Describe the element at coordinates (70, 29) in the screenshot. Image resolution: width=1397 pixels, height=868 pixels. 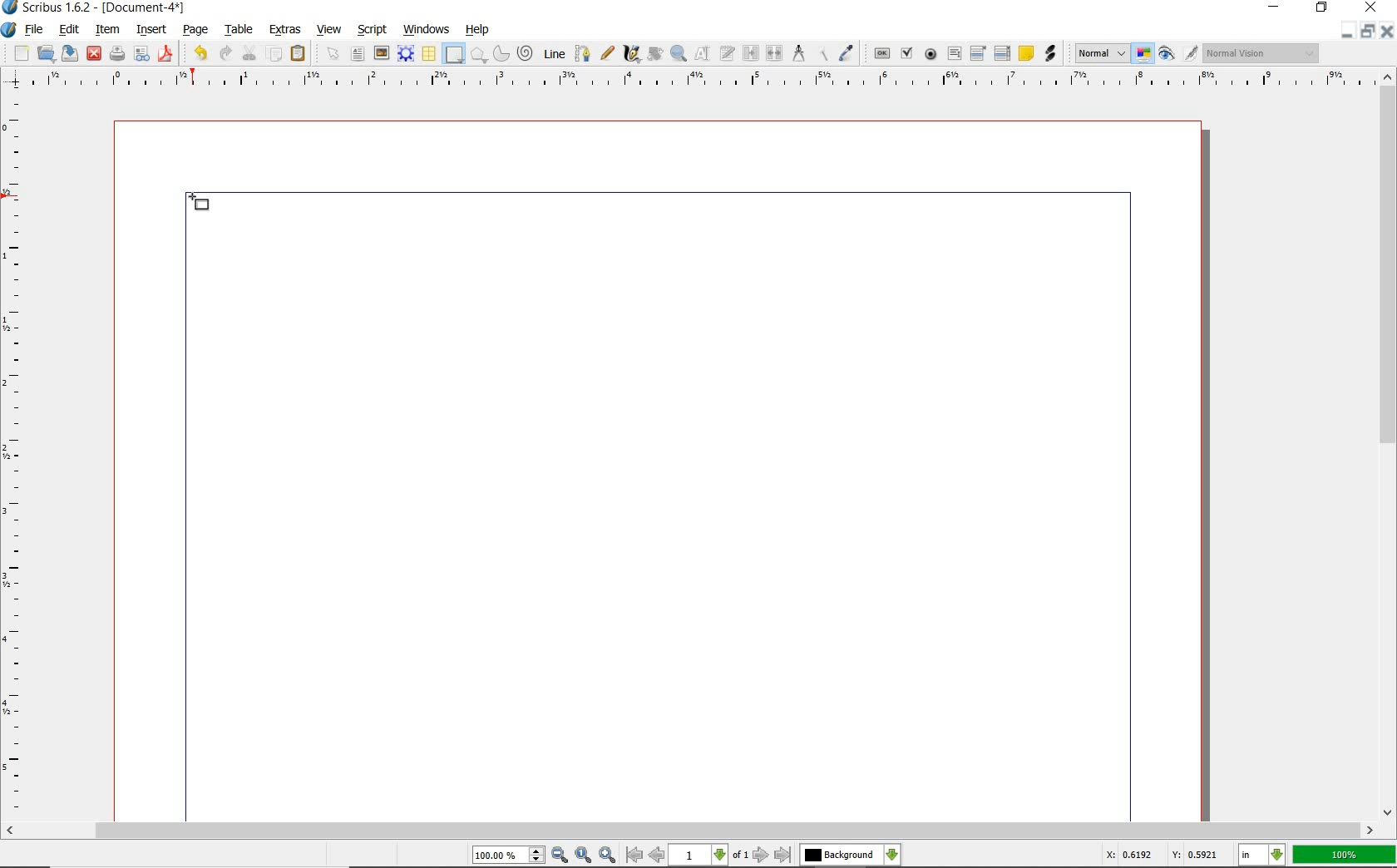
I see `edit` at that location.